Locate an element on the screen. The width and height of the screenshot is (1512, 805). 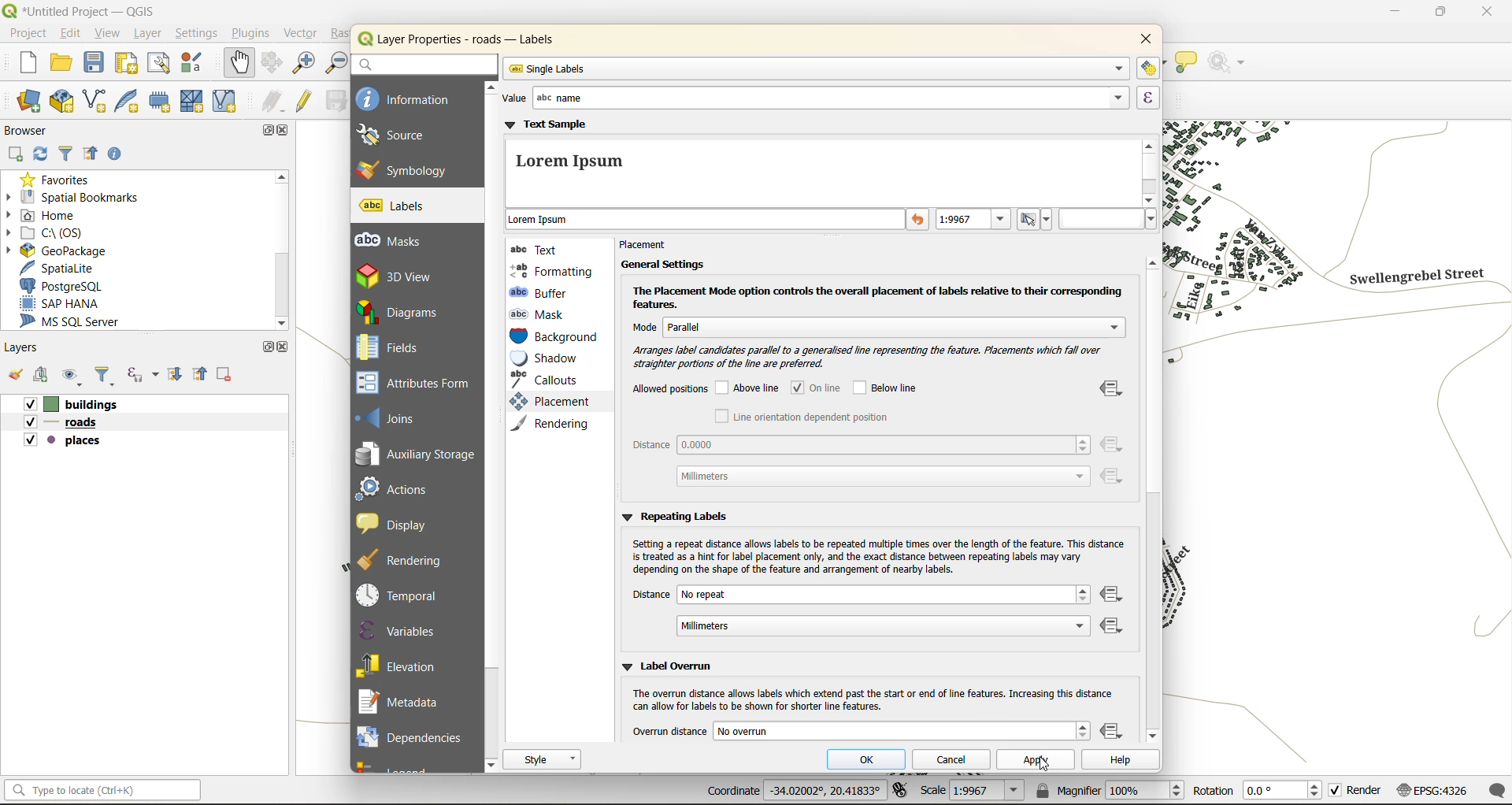
spatialite is located at coordinates (59, 269).